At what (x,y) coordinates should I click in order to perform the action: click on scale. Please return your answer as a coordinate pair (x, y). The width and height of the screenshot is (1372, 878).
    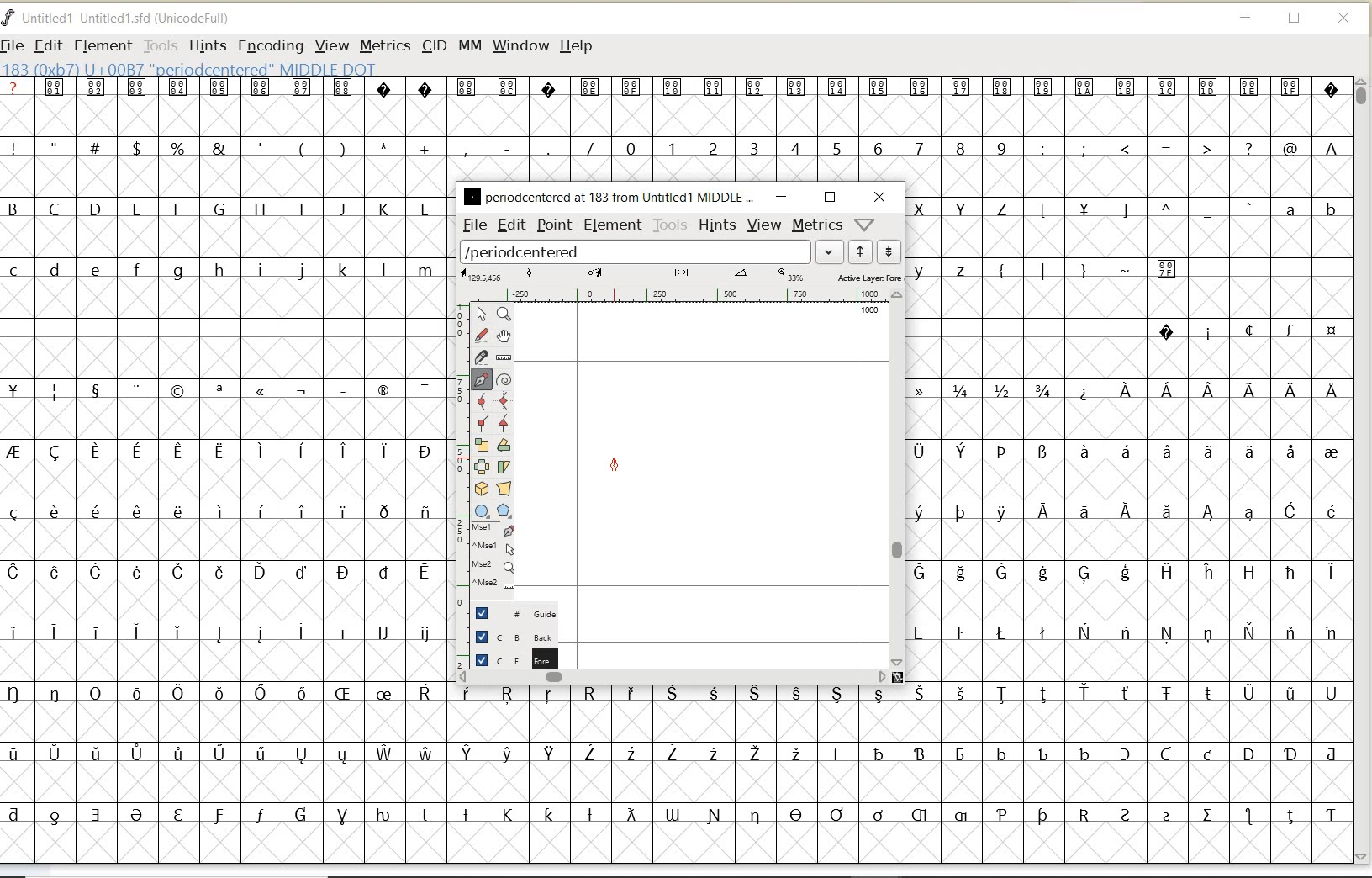
    Looking at the image, I should click on (458, 443).